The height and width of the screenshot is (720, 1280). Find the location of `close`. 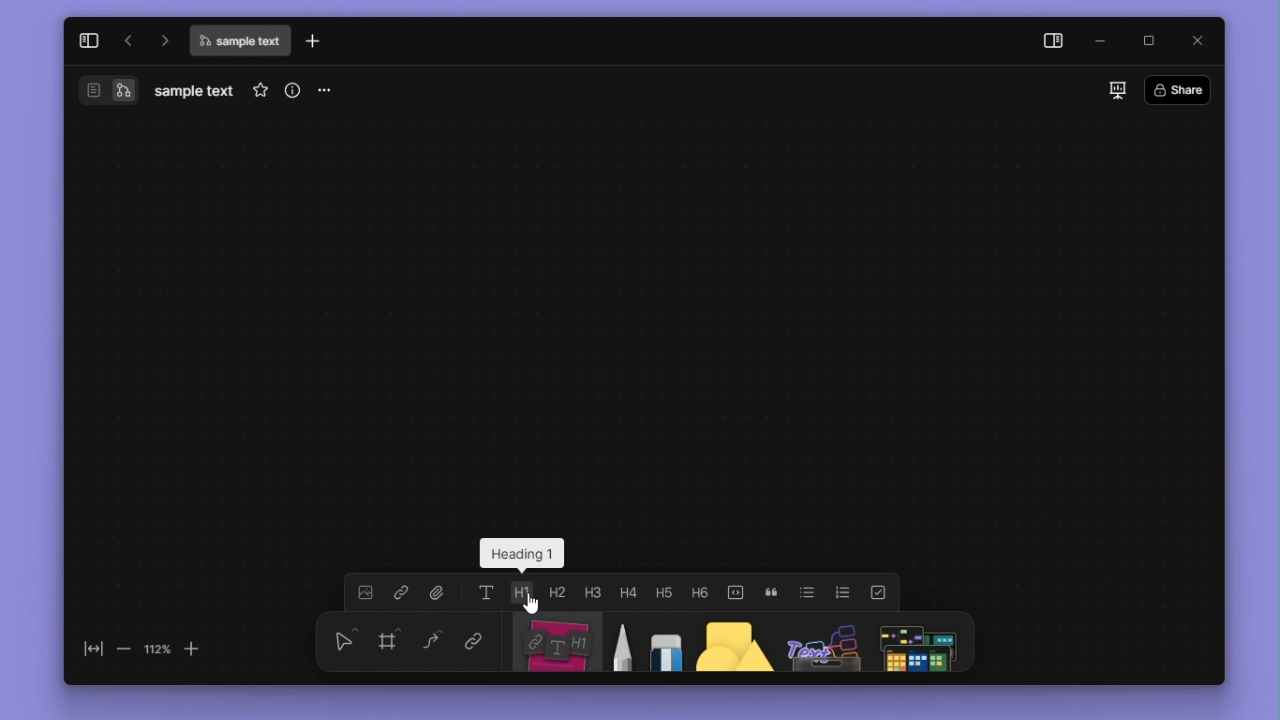

close is located at coordinates (1197, 41).